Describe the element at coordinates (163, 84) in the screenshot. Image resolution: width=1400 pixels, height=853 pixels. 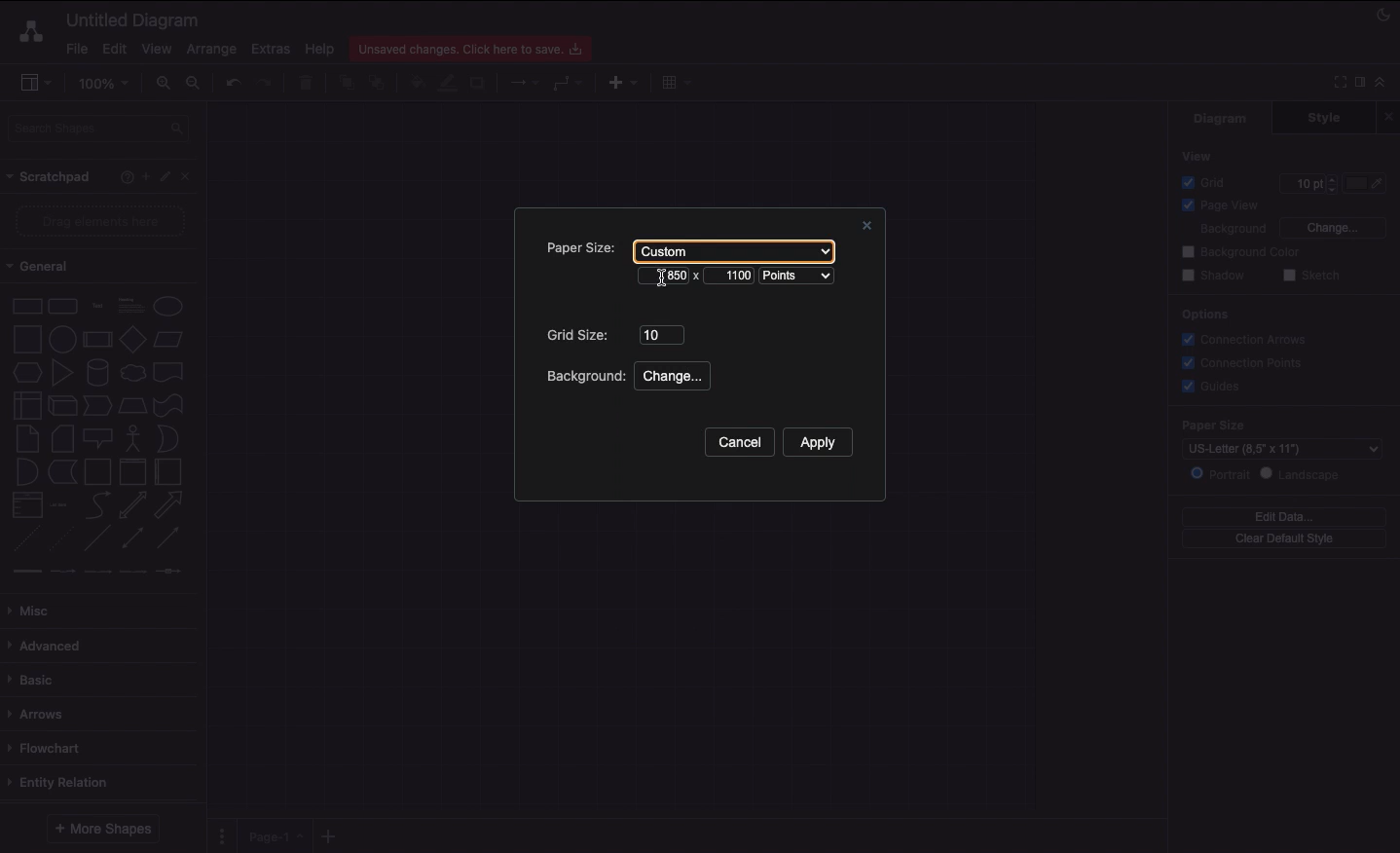
I see `Zoom in` at that location.